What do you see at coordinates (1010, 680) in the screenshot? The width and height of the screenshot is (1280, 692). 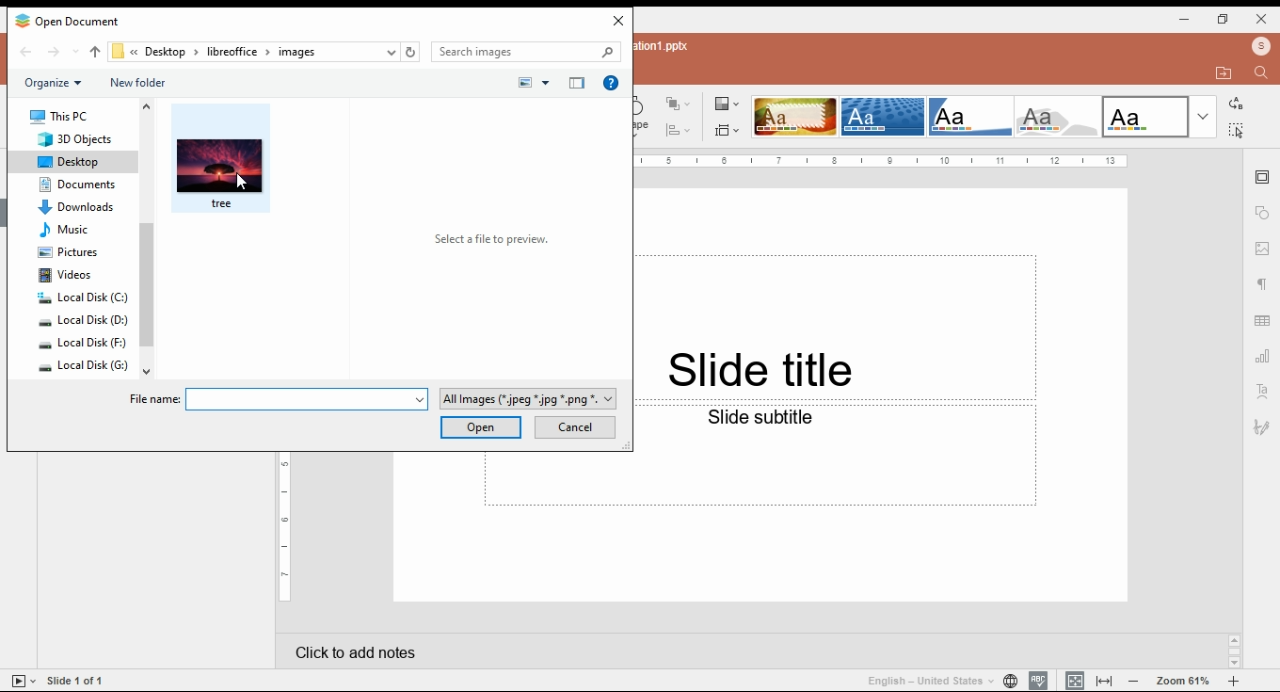 I see `set slide language` at bounding box center [1010, 680].